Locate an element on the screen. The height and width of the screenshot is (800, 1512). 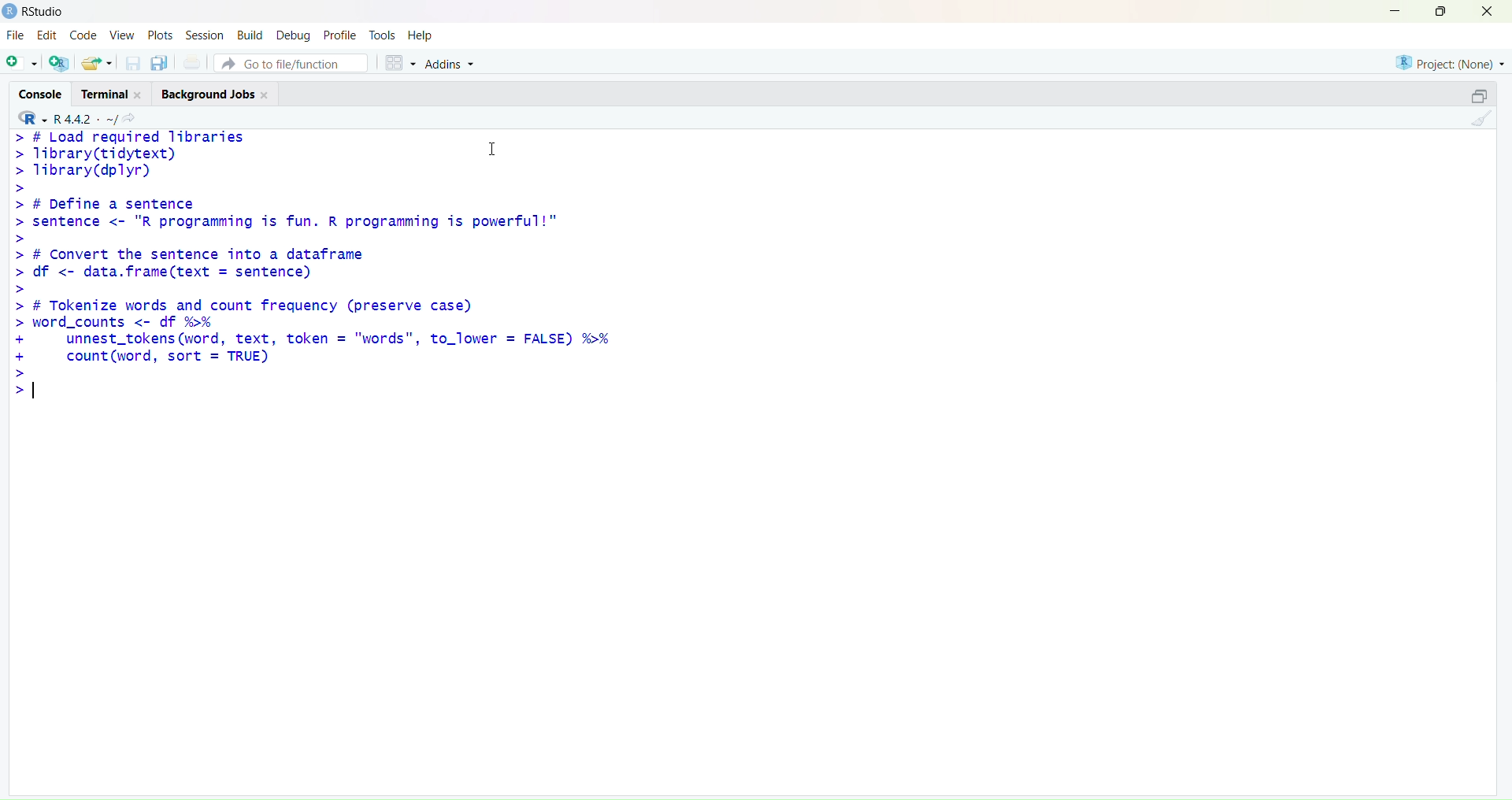
Edit is located at coordinates (49, 35).